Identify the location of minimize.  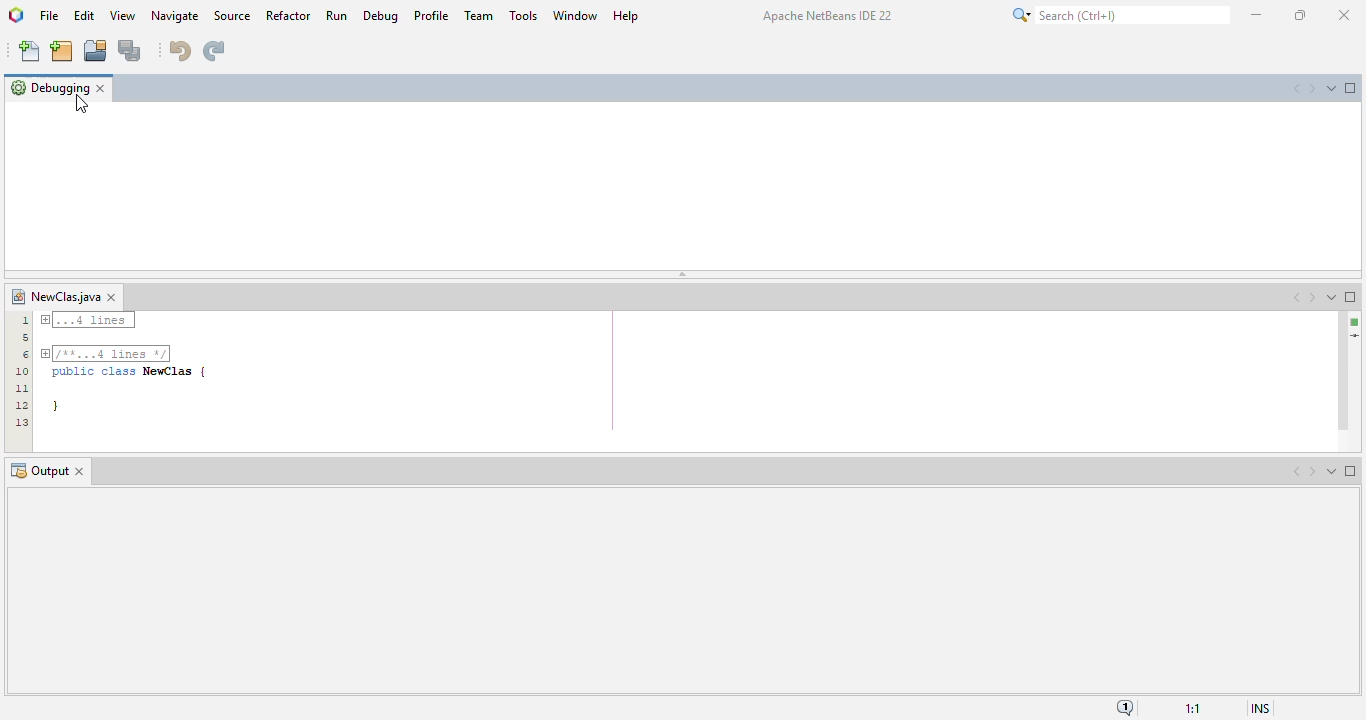
(1256, 15).